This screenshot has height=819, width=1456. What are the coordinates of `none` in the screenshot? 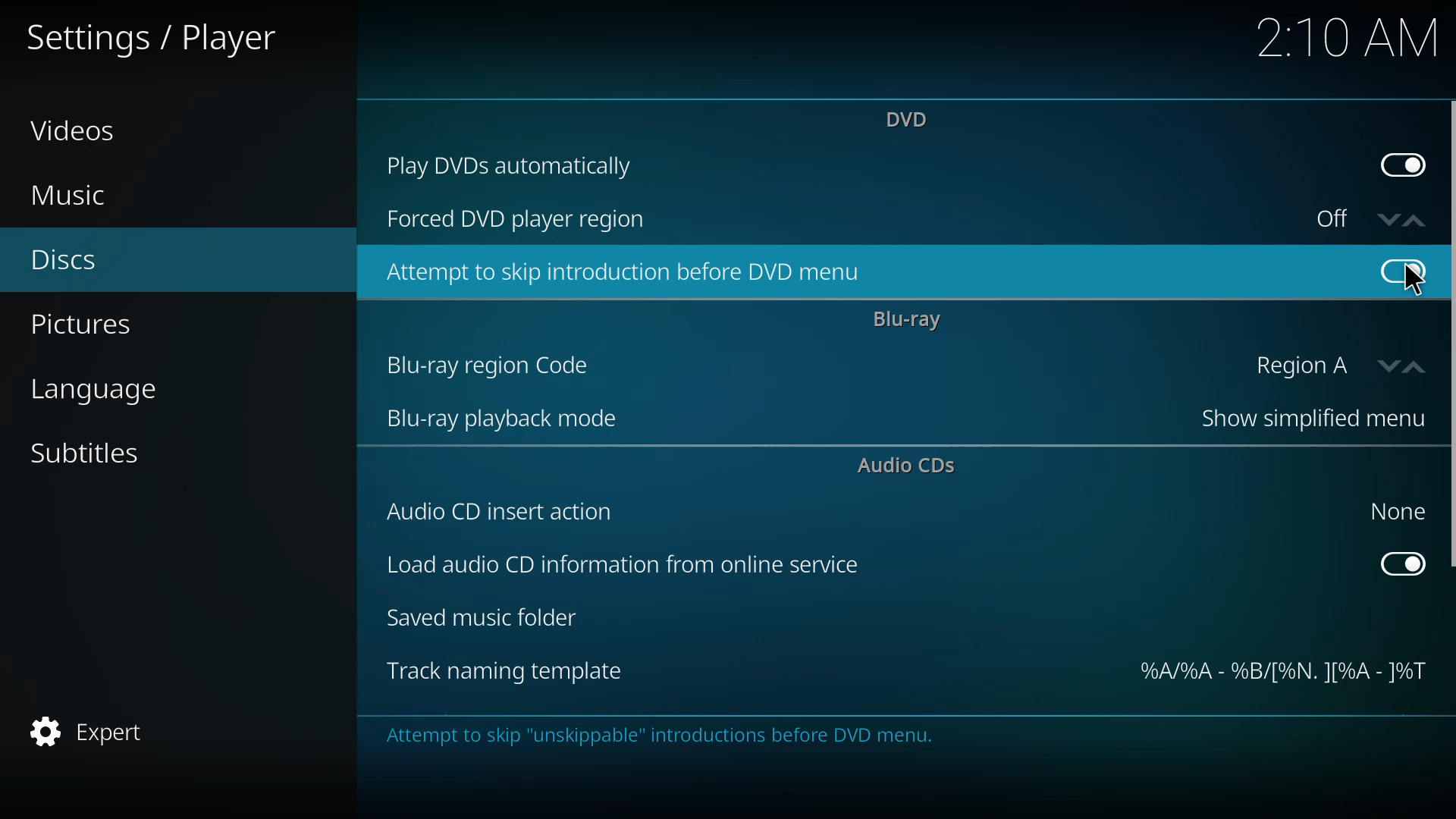 It's located at (1388, 510).